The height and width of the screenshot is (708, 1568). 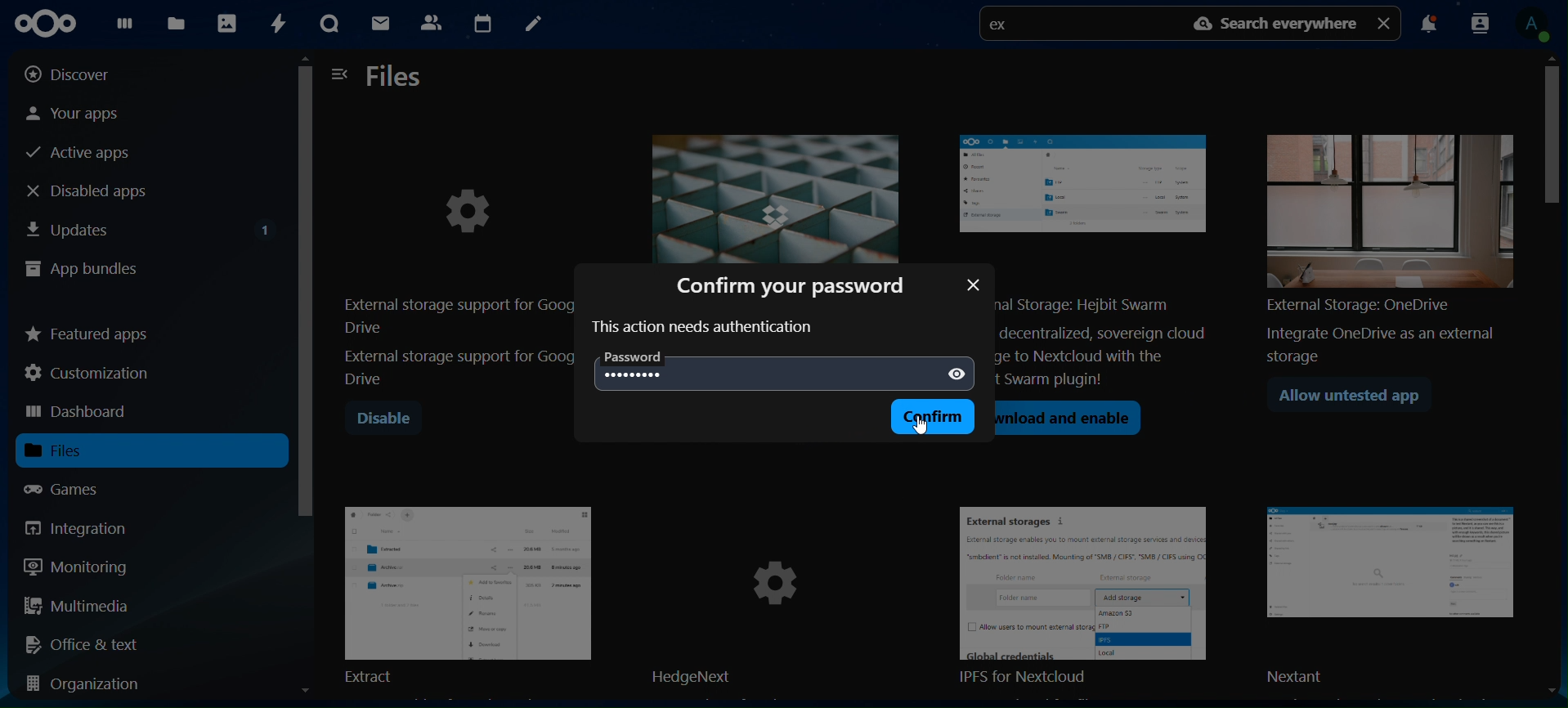 I want to click on monitoring, so click(x=77, y=566).